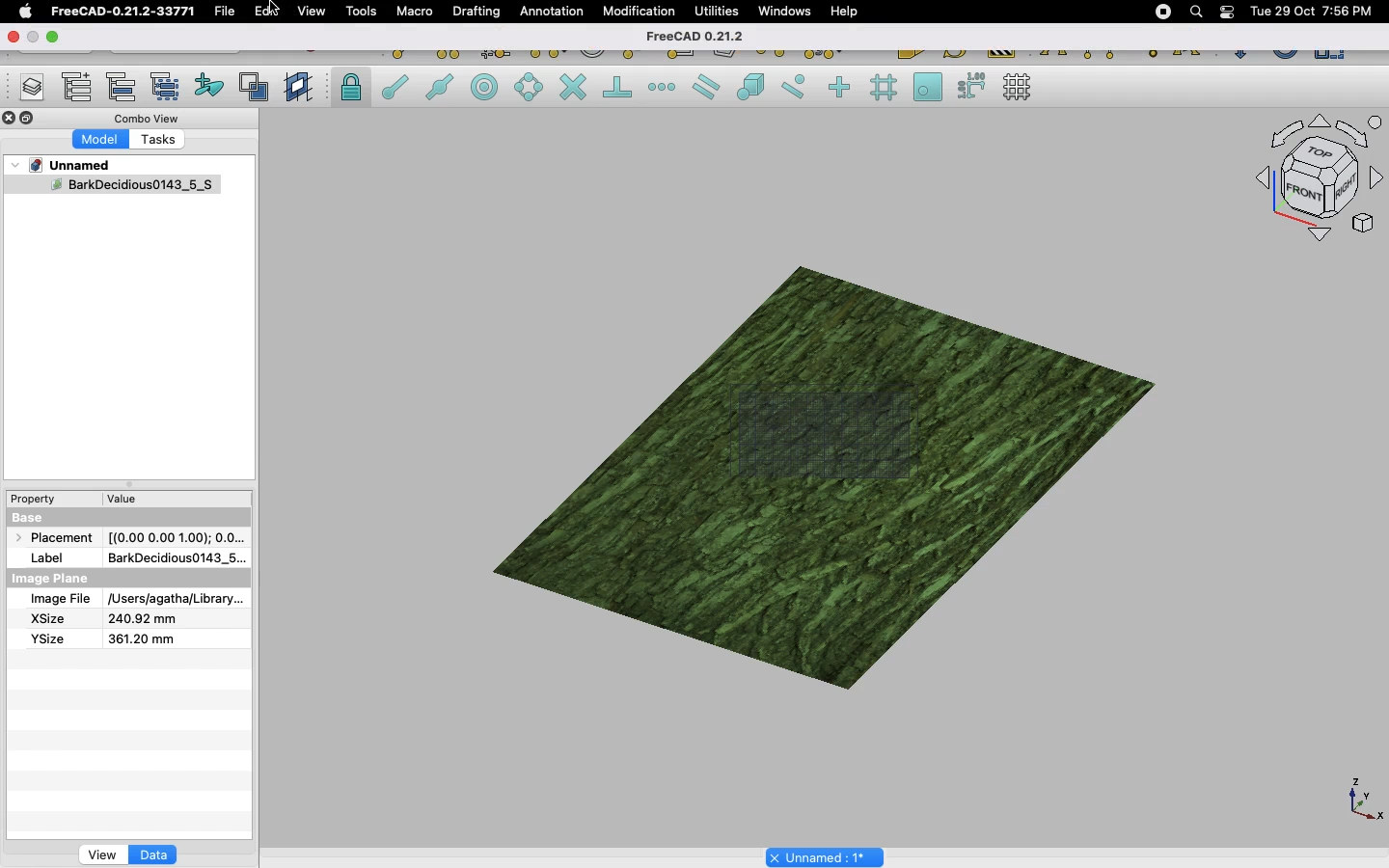  What do you see at coordinates (1195, 12) in the screenshot?
I see `Search` at bounding box center [1195, 12].